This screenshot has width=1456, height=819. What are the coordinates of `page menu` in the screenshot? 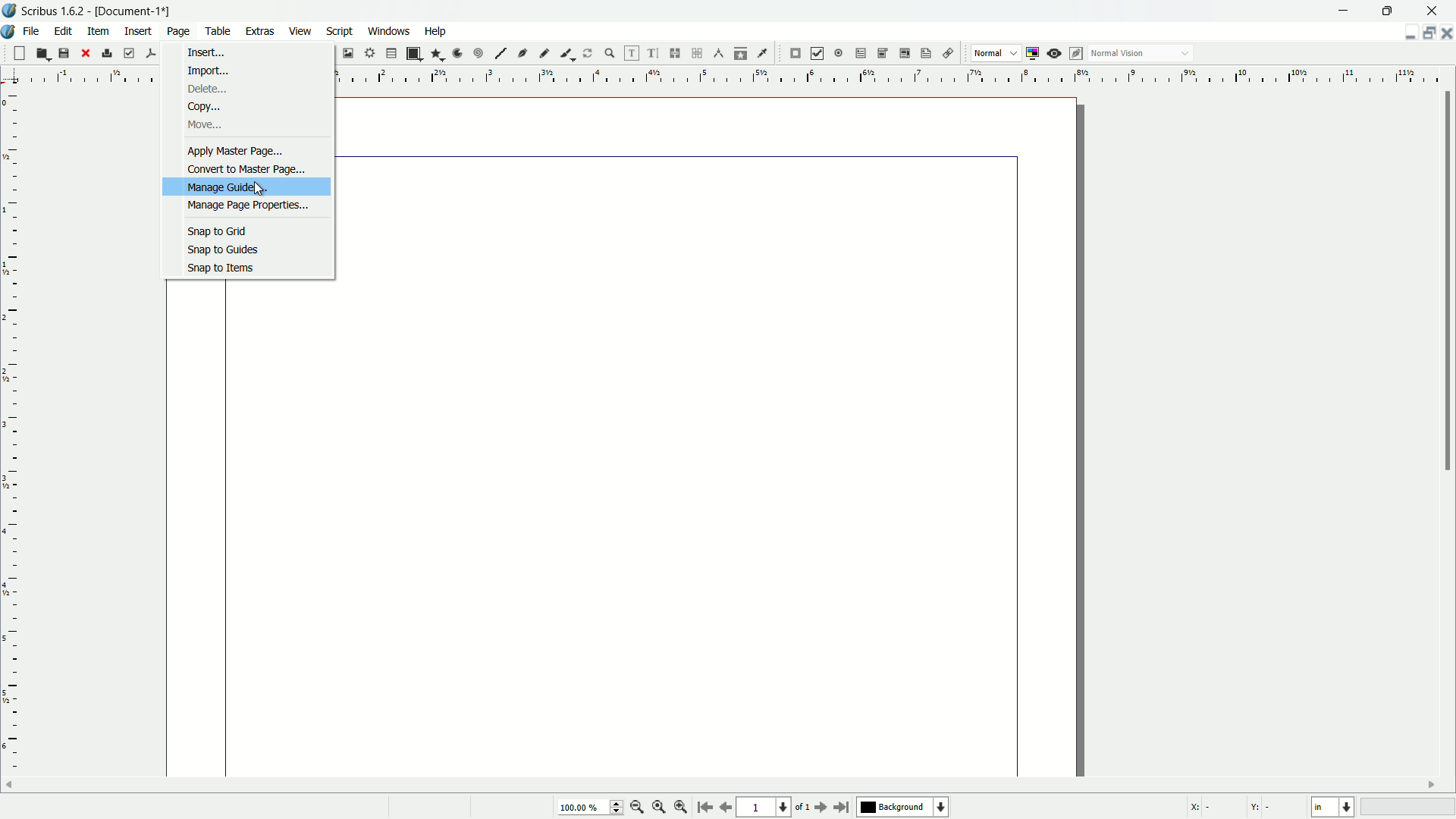 It's located at (178, 29).